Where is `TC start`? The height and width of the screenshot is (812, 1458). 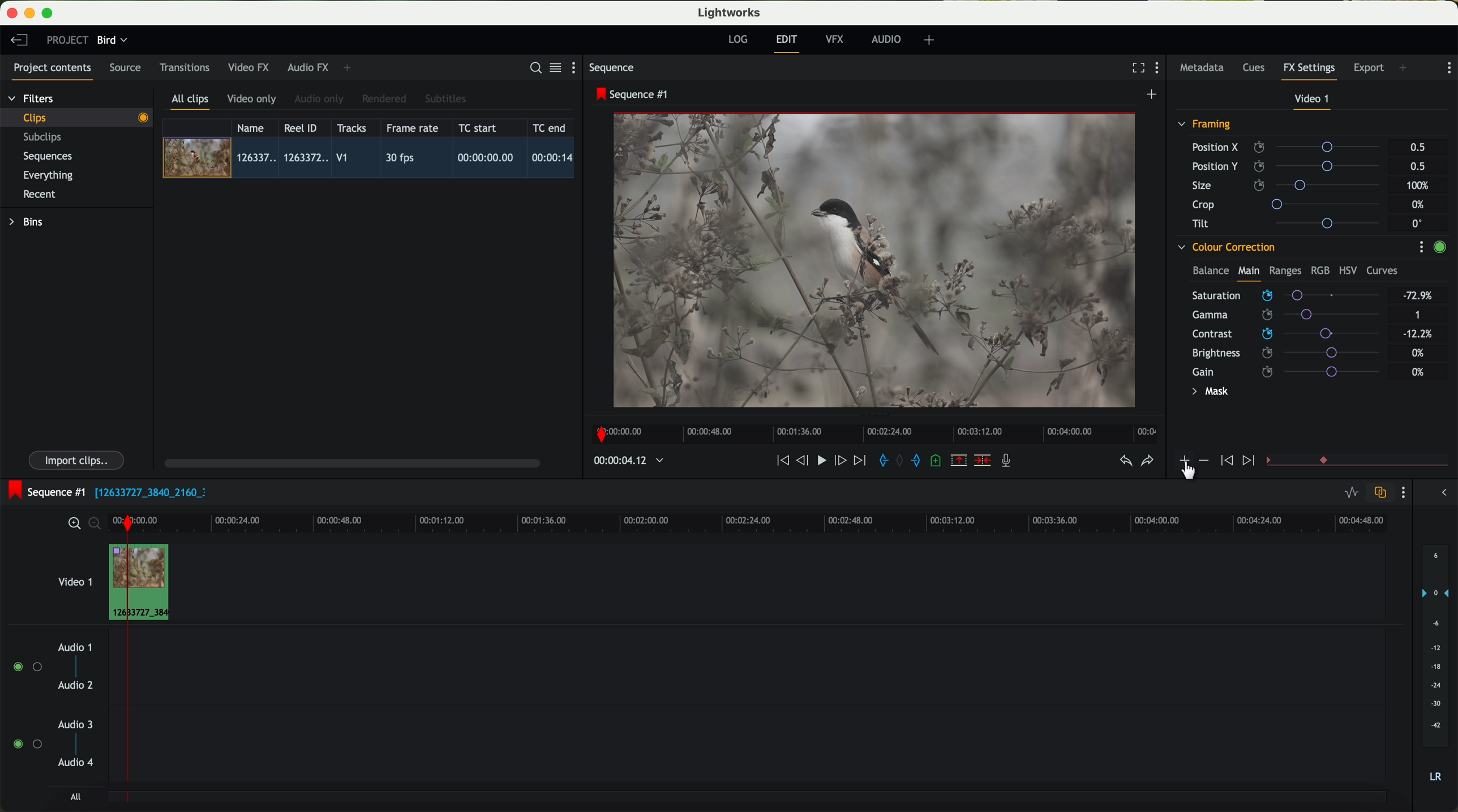 TC start is located at coordinates (479, 127).